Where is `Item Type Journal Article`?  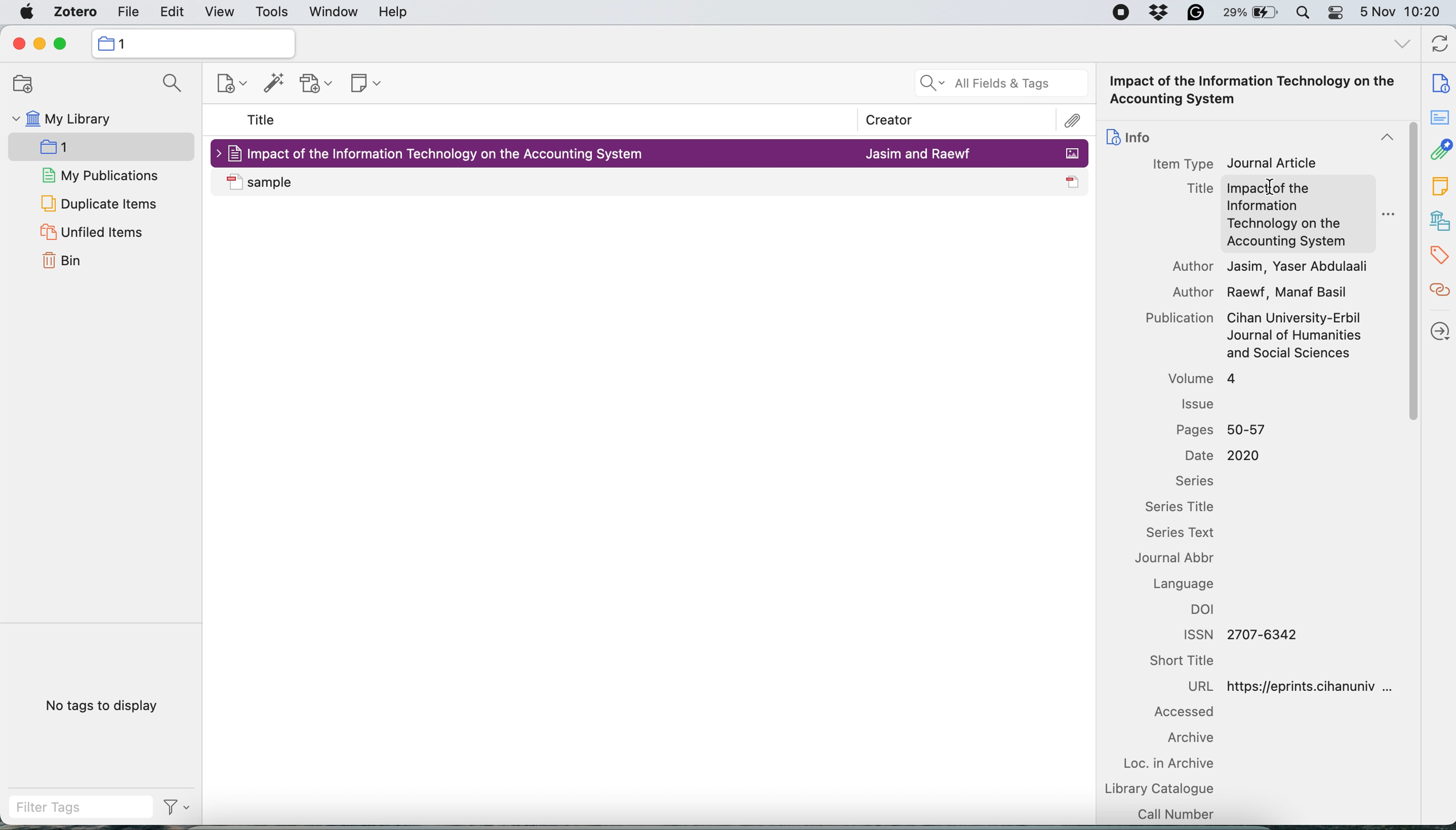
Item Type Journal Article is located at coordinates (1233, 163).